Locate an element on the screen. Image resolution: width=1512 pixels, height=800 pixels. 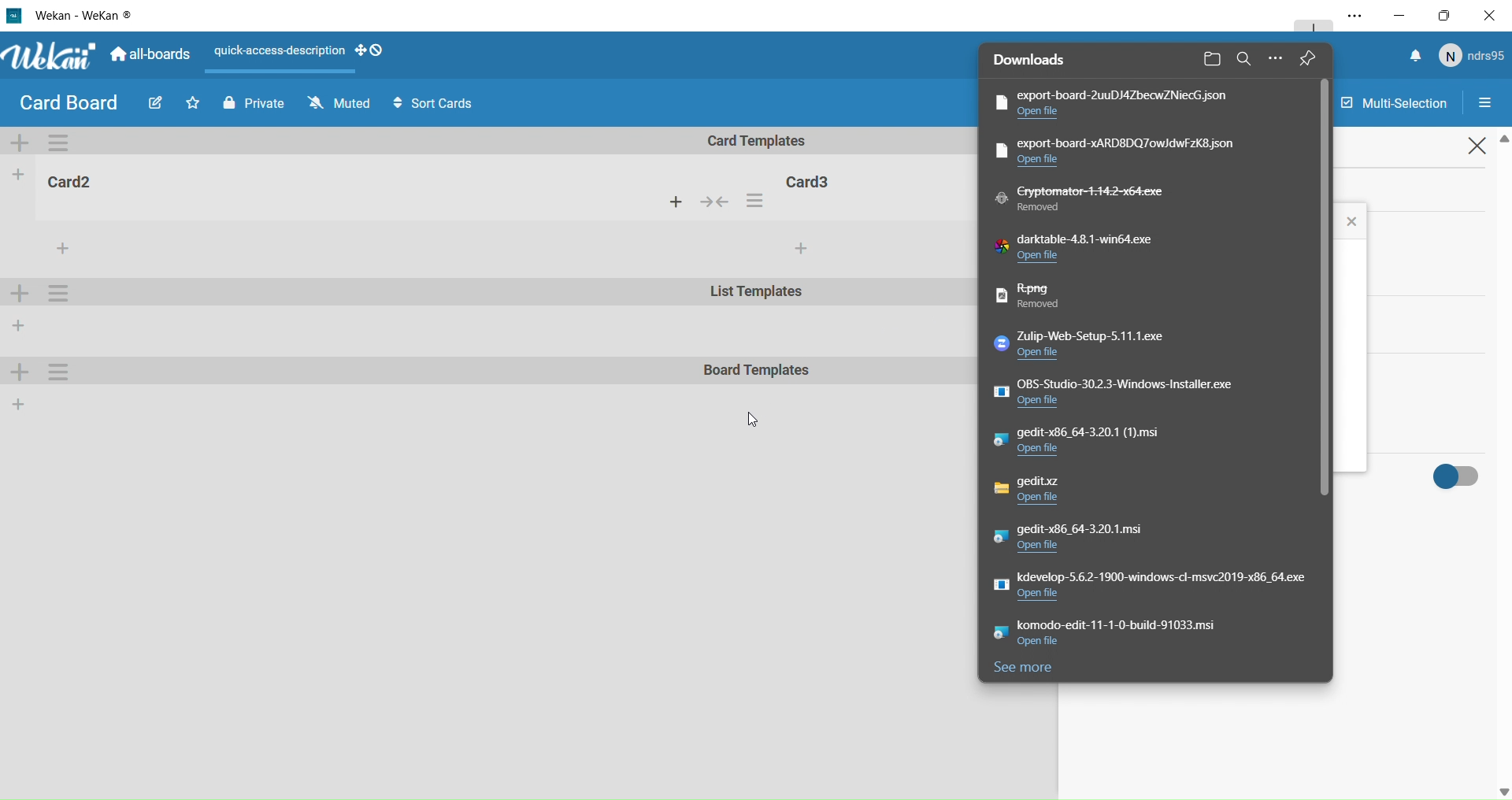
edit is located at coordinates (153, 106).